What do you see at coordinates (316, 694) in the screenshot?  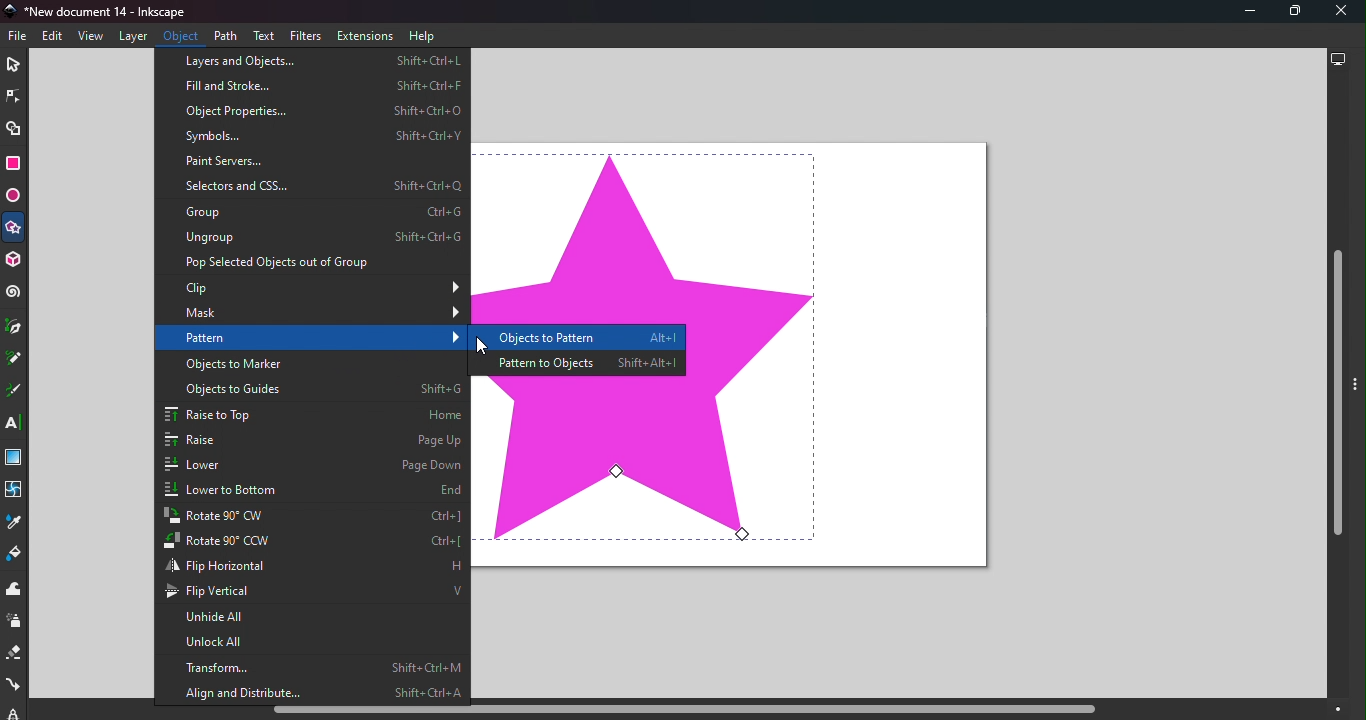 I see `Align and distribute` at bounding box center [316, 694].